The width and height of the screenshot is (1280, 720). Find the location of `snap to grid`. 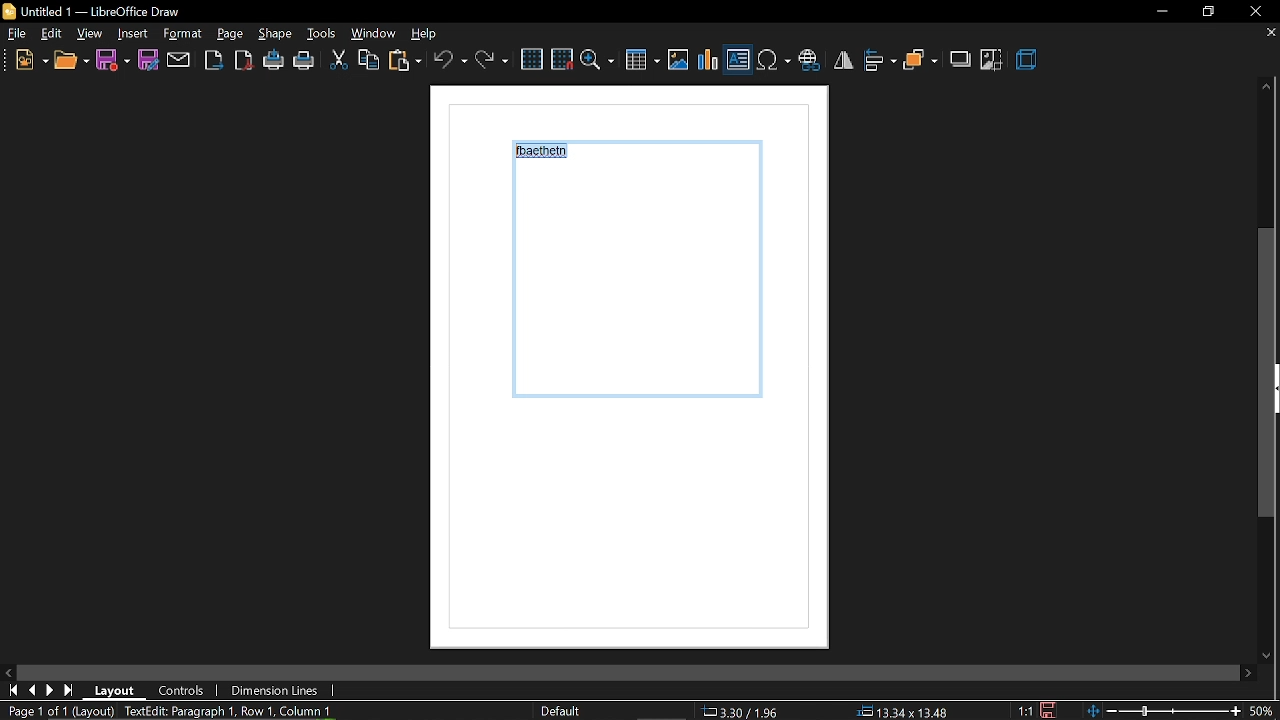

snap to grid is located at coordinates (562, 58).